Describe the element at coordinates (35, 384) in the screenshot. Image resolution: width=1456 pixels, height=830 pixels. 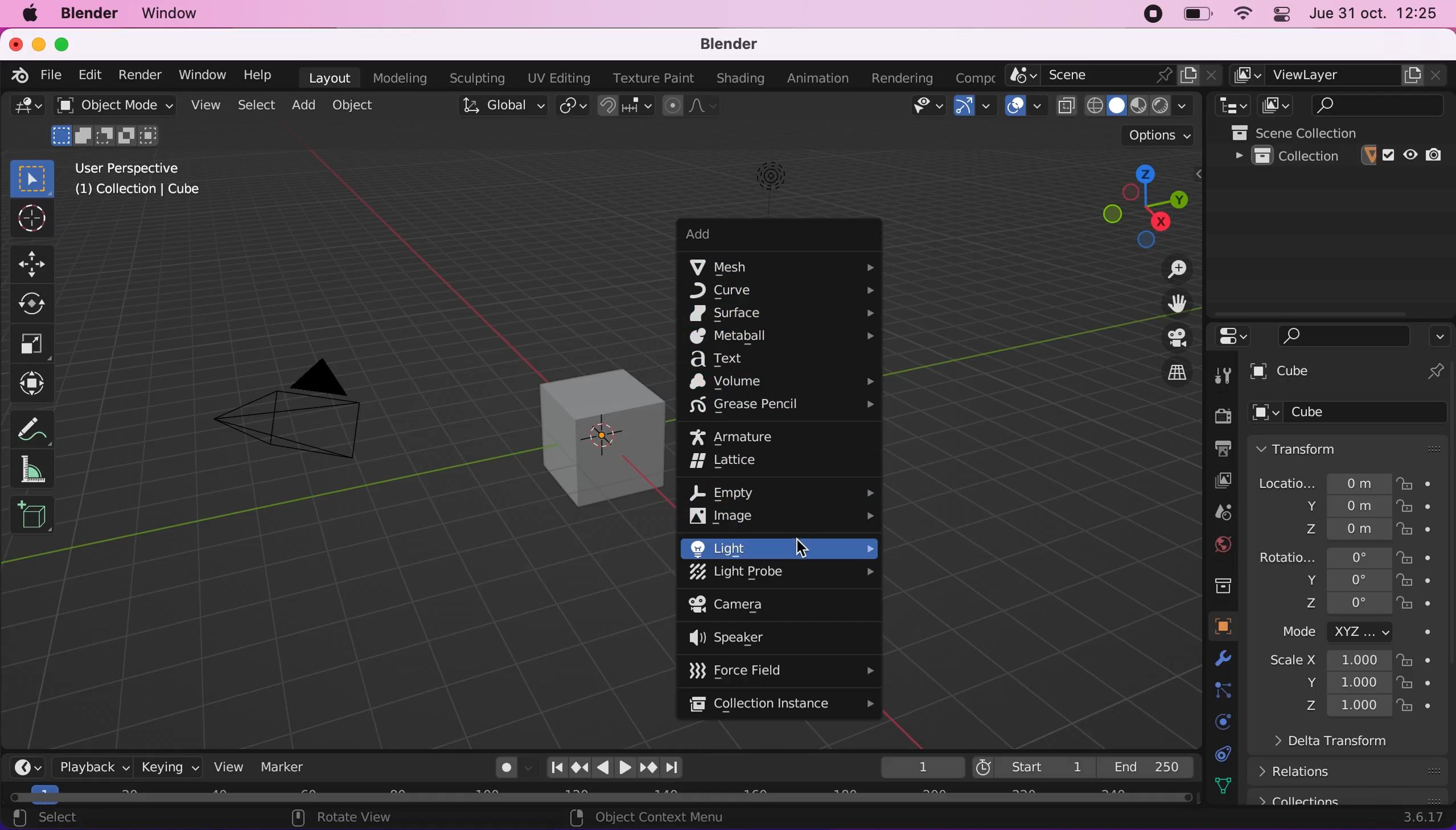
I see `transform` at that location.